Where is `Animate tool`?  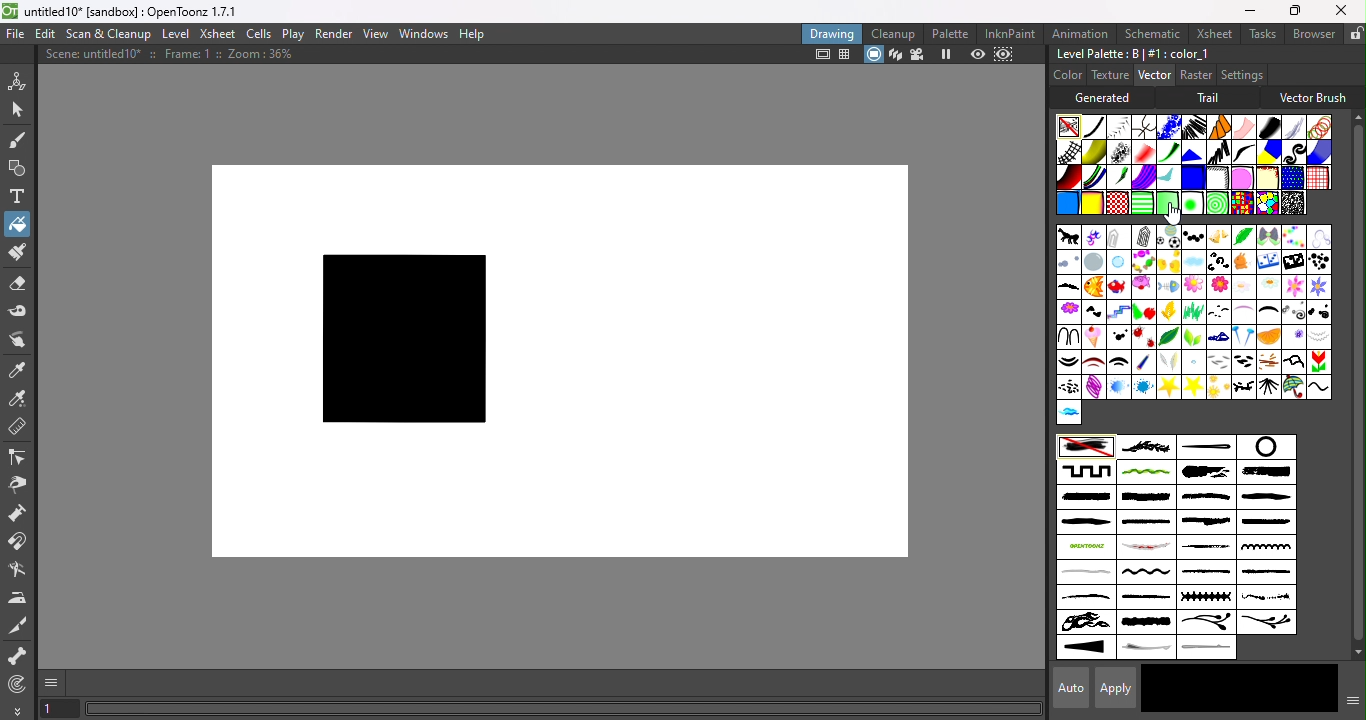 Animate tool is located at coordinates (20, 80).